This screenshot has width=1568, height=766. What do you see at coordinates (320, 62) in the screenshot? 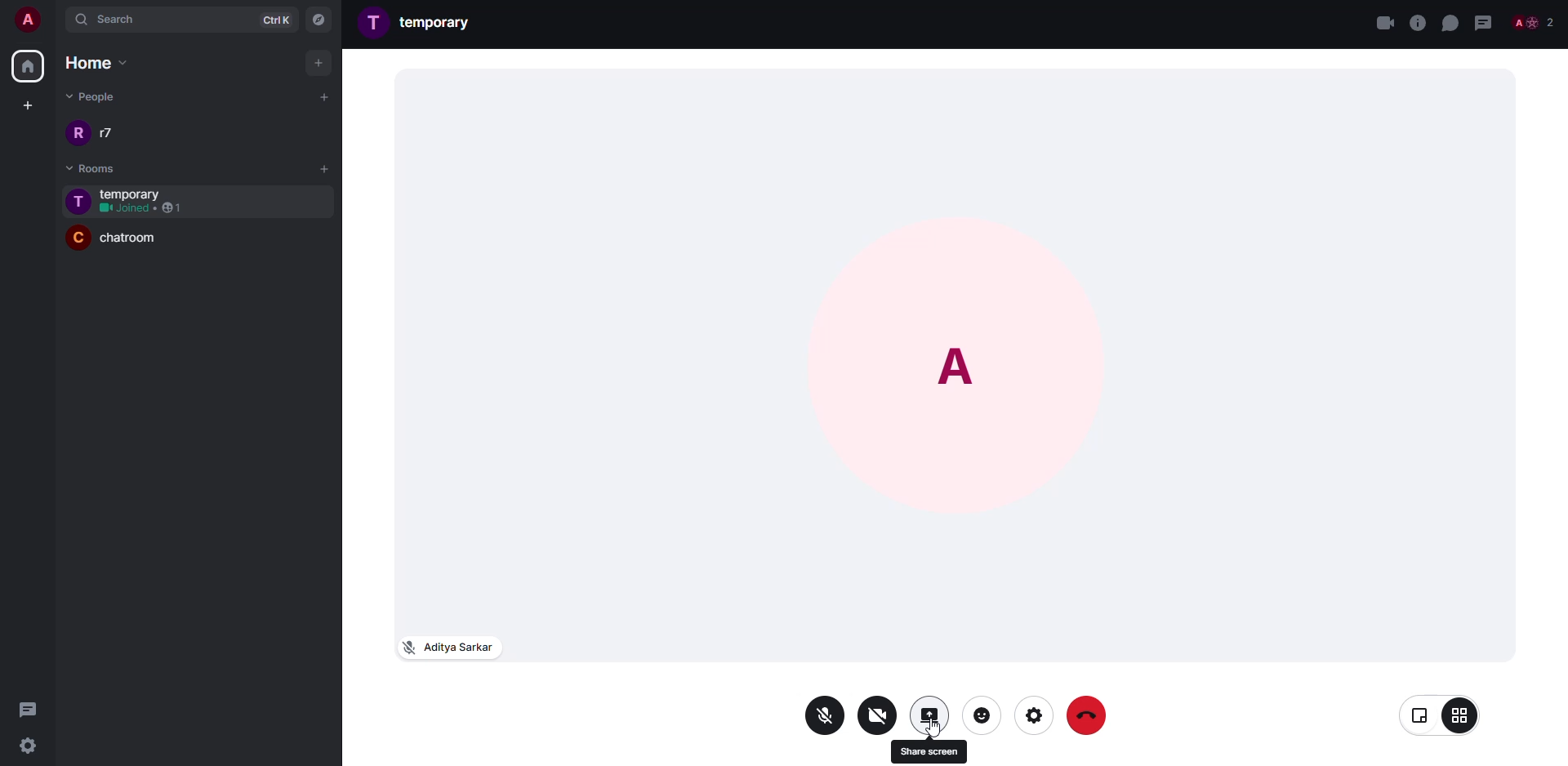
I see `add` at bounding box center [320, 62].